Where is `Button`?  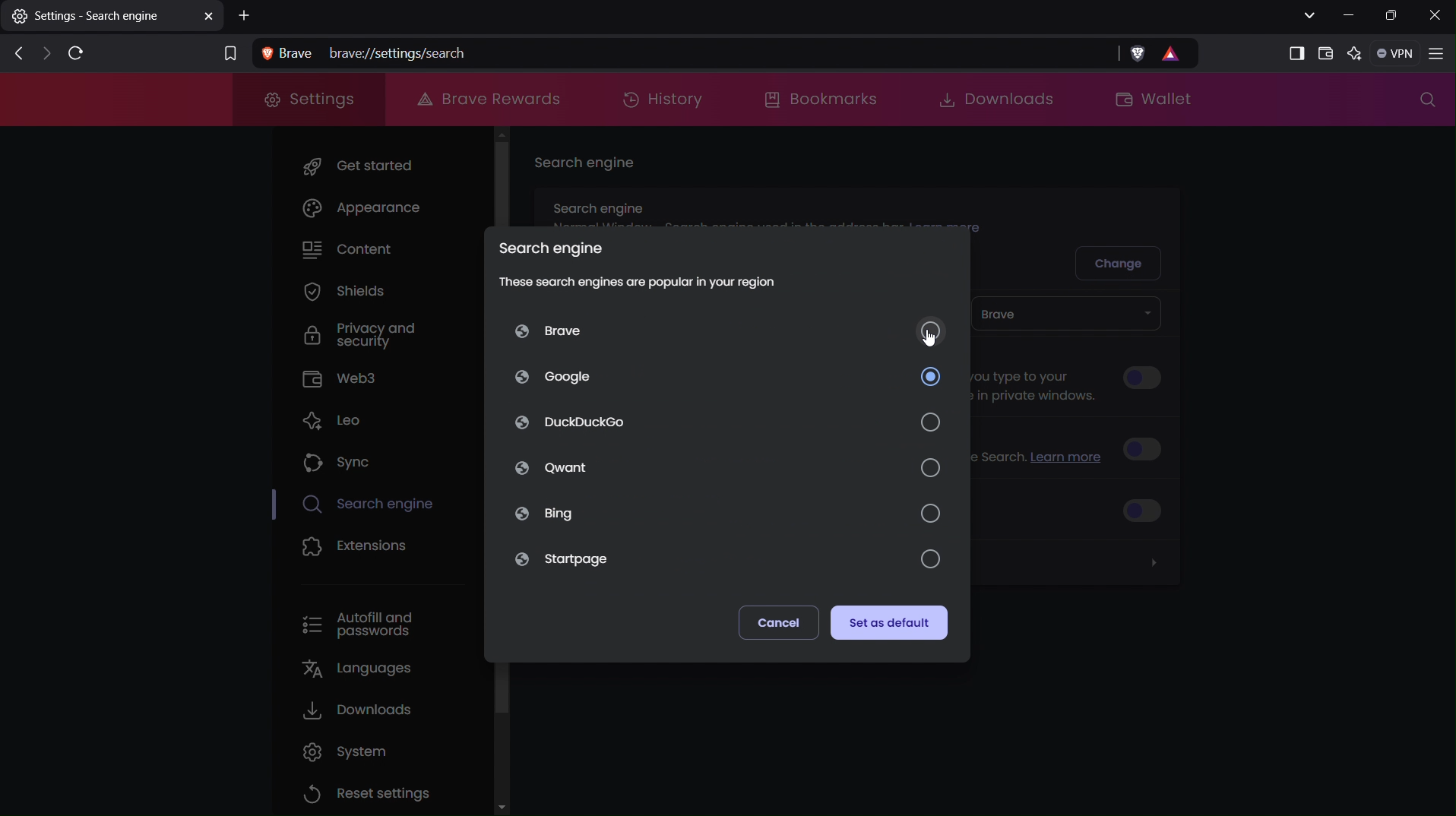
Button is located at coordinates (1147, 509).